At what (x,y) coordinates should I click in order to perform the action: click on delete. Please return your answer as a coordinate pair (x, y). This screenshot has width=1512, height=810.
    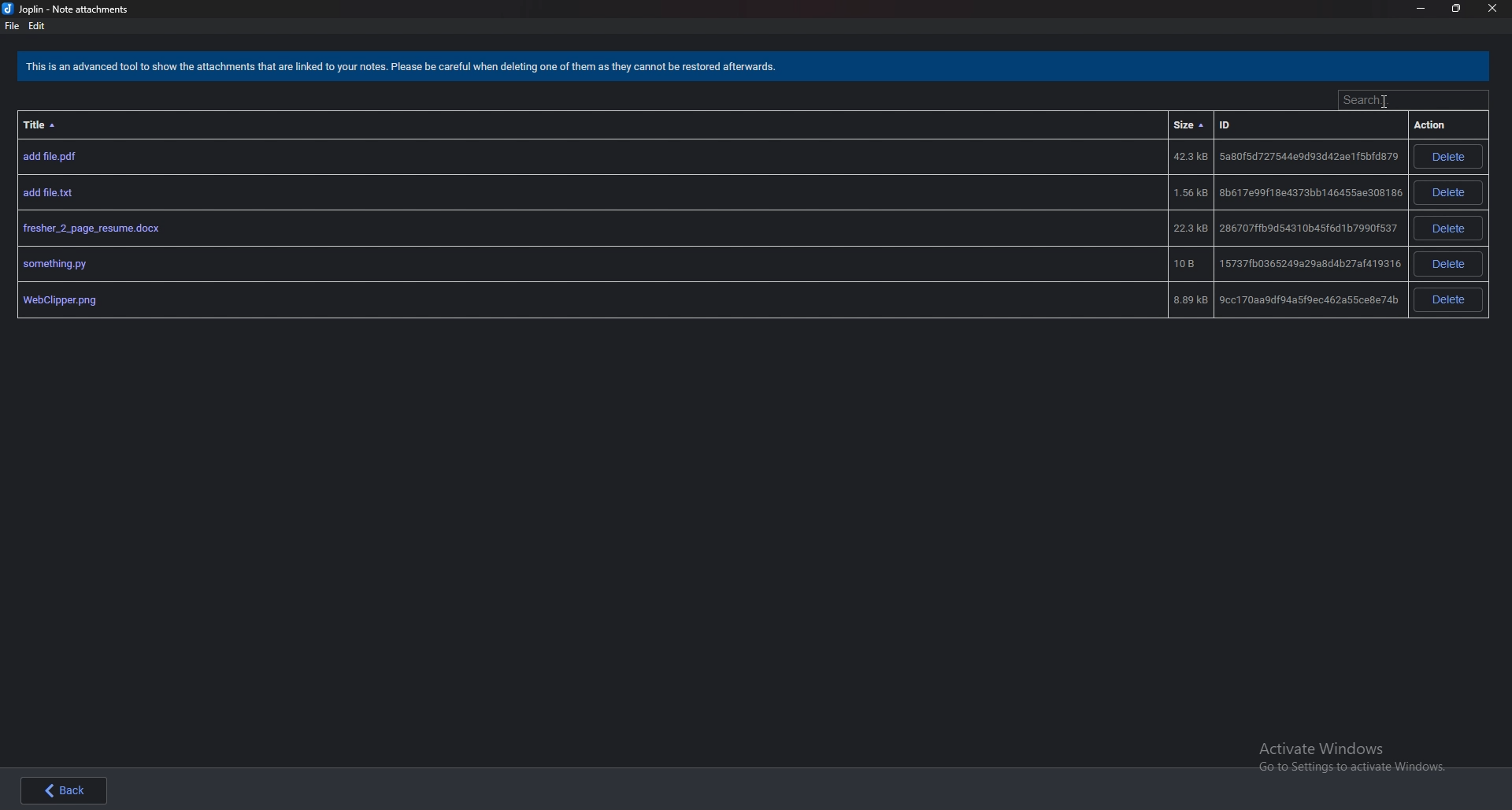
    Looking at the image, I should click on (1450, 299).